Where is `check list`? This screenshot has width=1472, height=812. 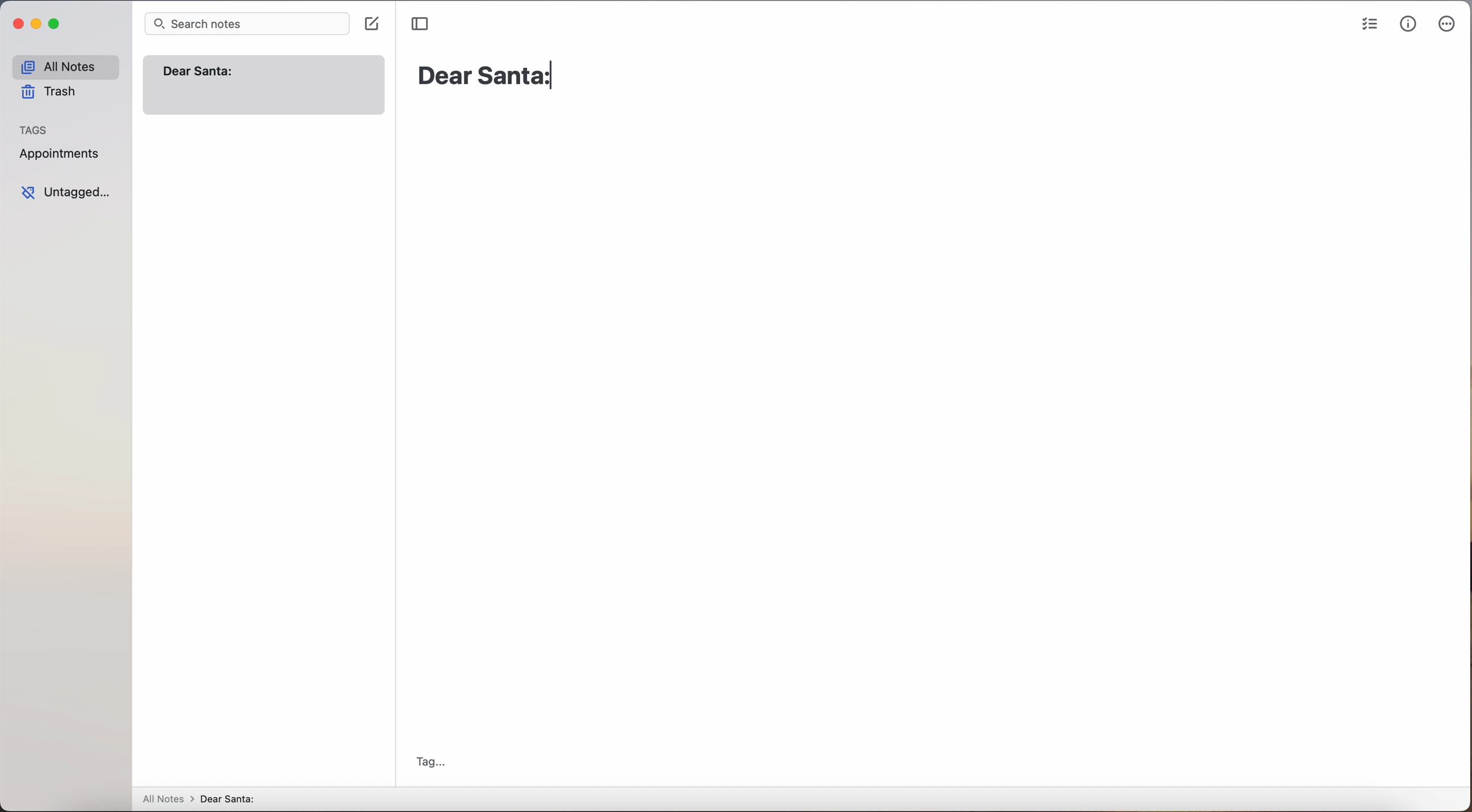 check list is located at coordinates (1370, 25).